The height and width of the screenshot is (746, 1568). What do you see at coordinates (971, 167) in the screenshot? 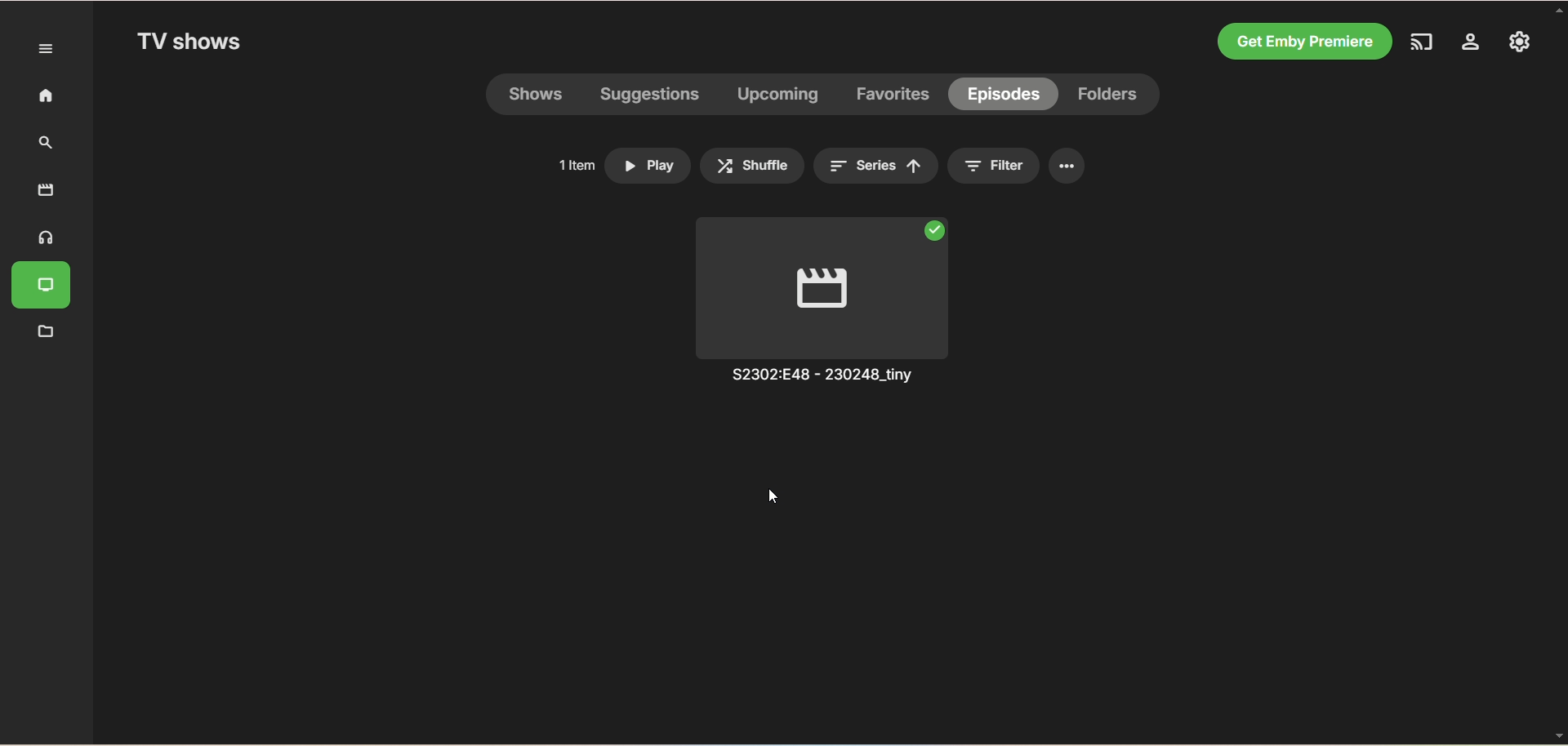
I see `settings` at bounding box center [971, 167].